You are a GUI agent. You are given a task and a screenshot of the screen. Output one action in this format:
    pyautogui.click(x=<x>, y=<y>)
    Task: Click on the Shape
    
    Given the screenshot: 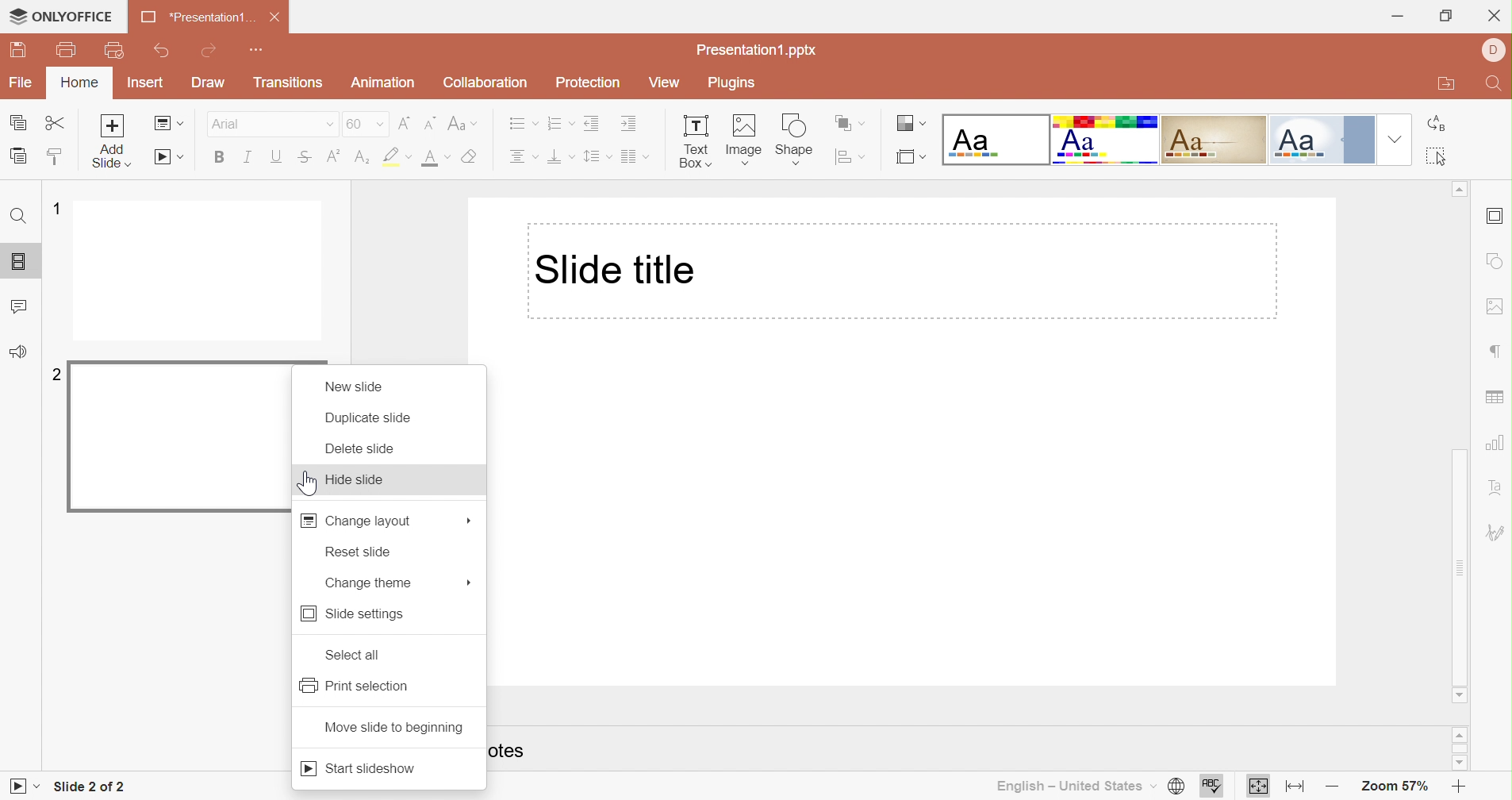 What is the action you would take?
    pyautogui.click(x=795, y=138)
    